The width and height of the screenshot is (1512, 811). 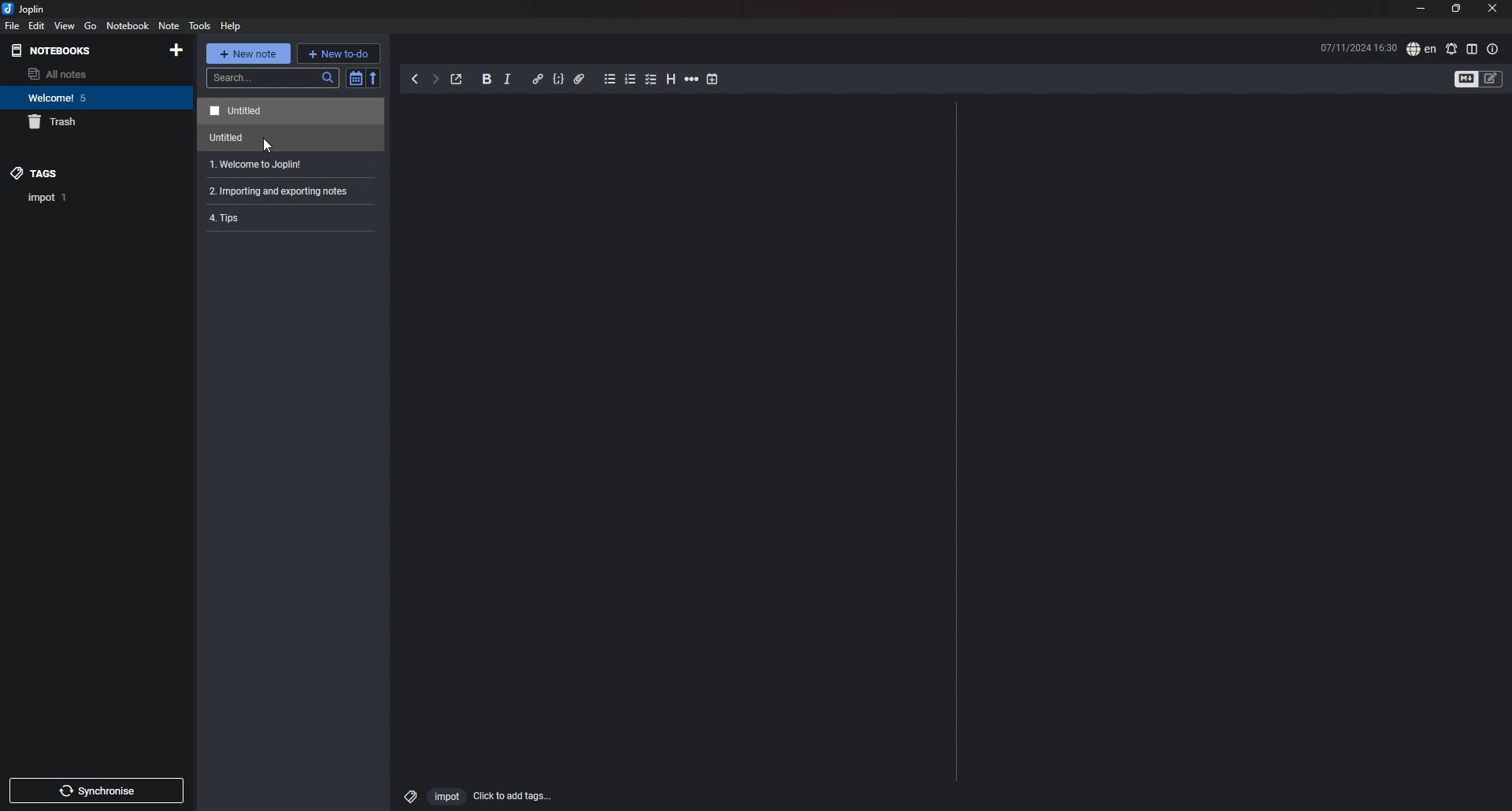 I want to click on note, so click(x=288, y=111).